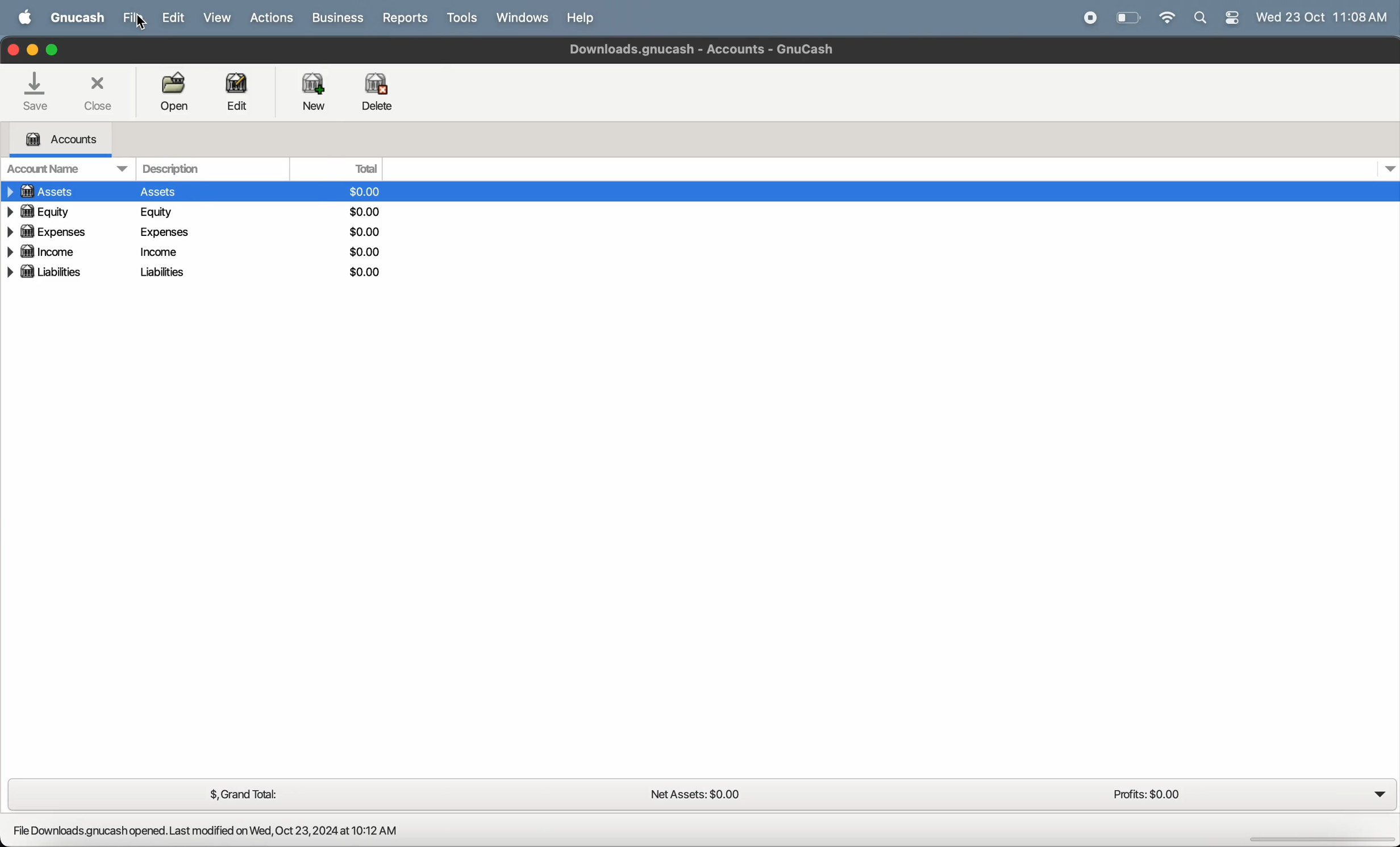 The width and height of the screenshot is (1400, 847). Describe the element at coordinates (171, 18) in the screenshot. I see `edit` at that location.